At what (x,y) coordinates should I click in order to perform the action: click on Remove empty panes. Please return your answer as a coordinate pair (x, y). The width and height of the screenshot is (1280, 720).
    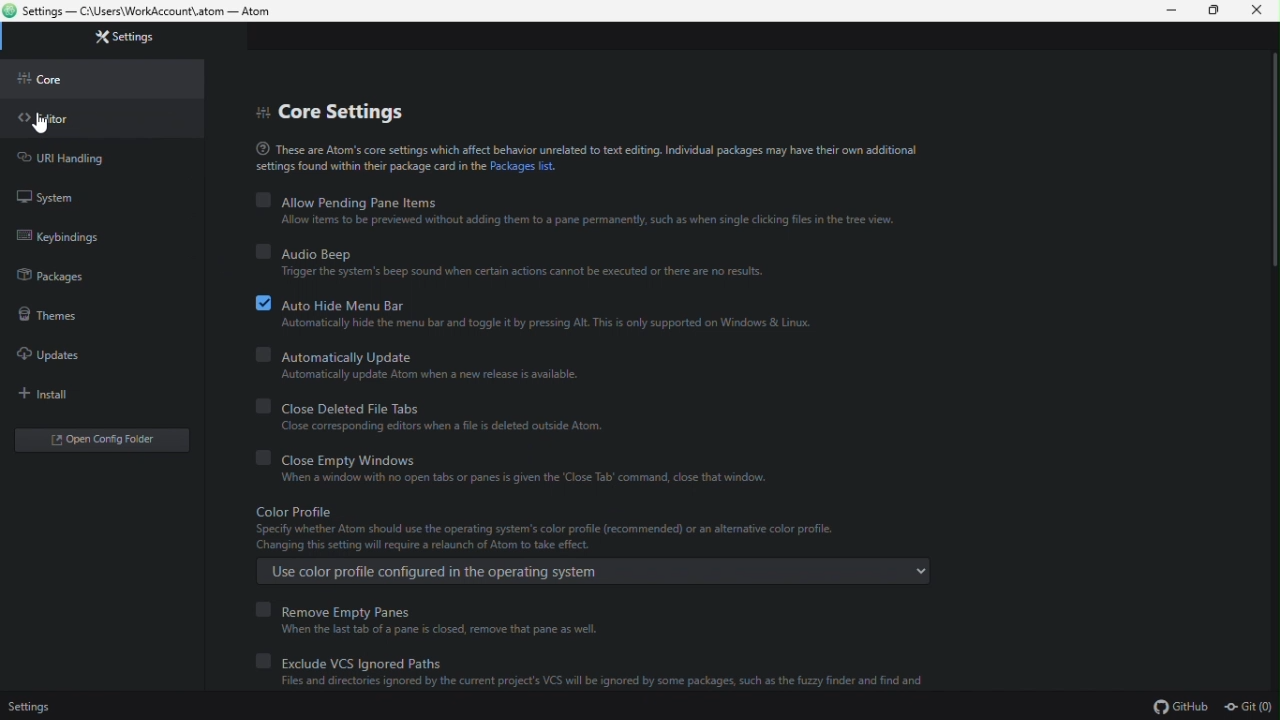
    Looking at the image, I should click on (450, 610).